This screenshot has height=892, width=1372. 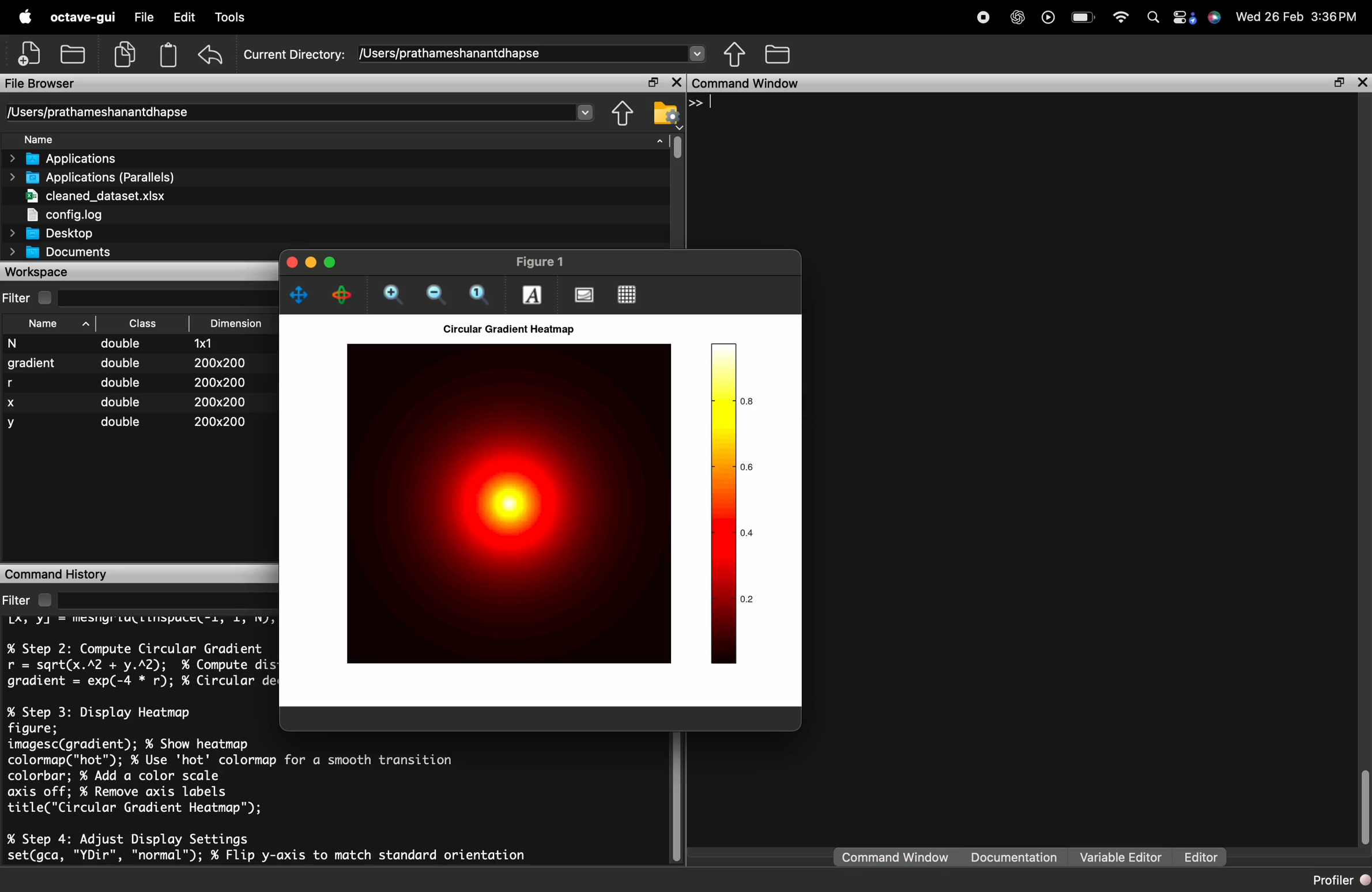 What do you see at coordinates (95, 195) in the screenshot?
I see `cleaned_dataset.xlsx` at bounding box center [95, 195].